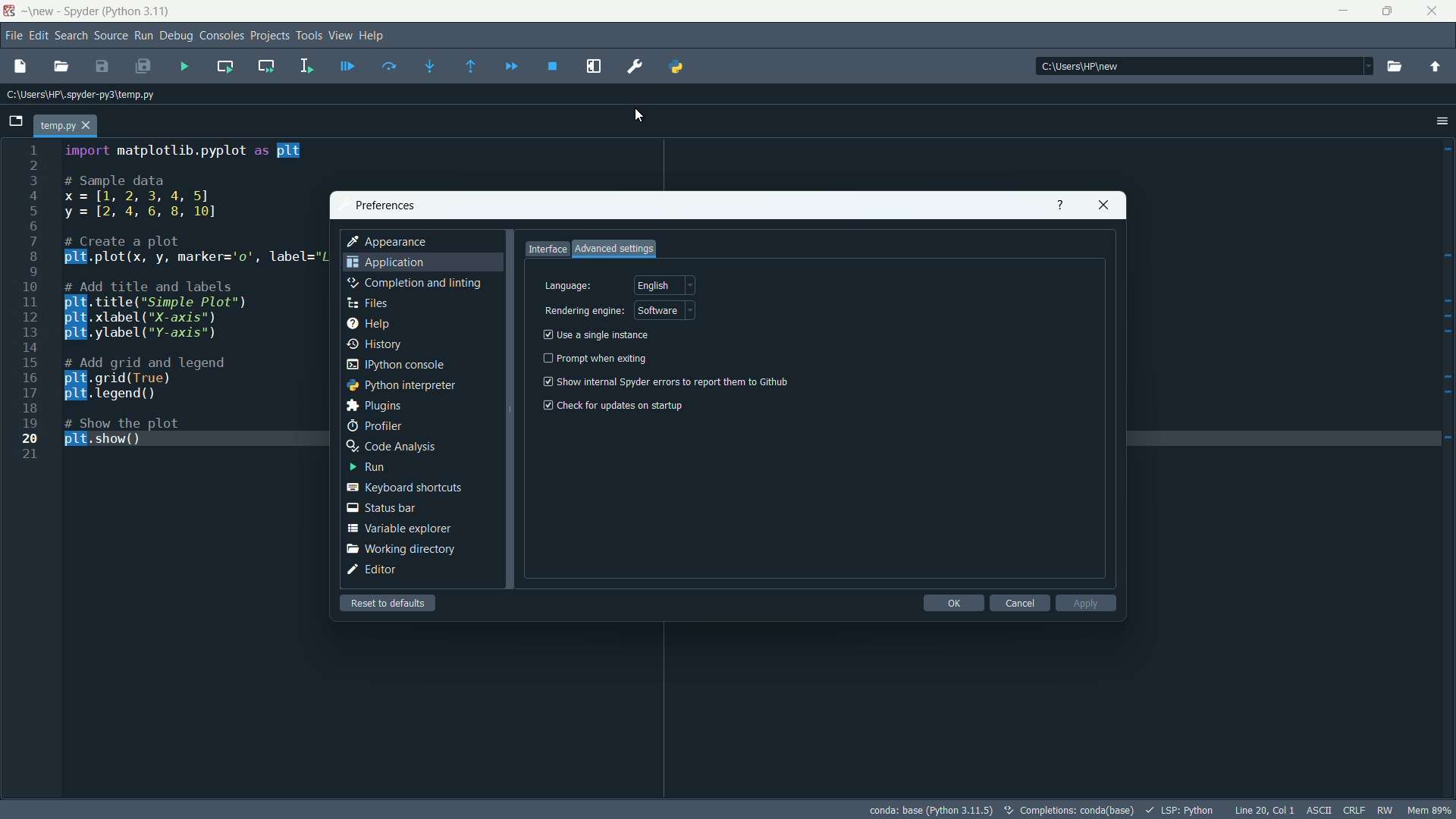 The height and width of the screenshot is (819, 1456). I want to click on execute until function, so click(472, 67).